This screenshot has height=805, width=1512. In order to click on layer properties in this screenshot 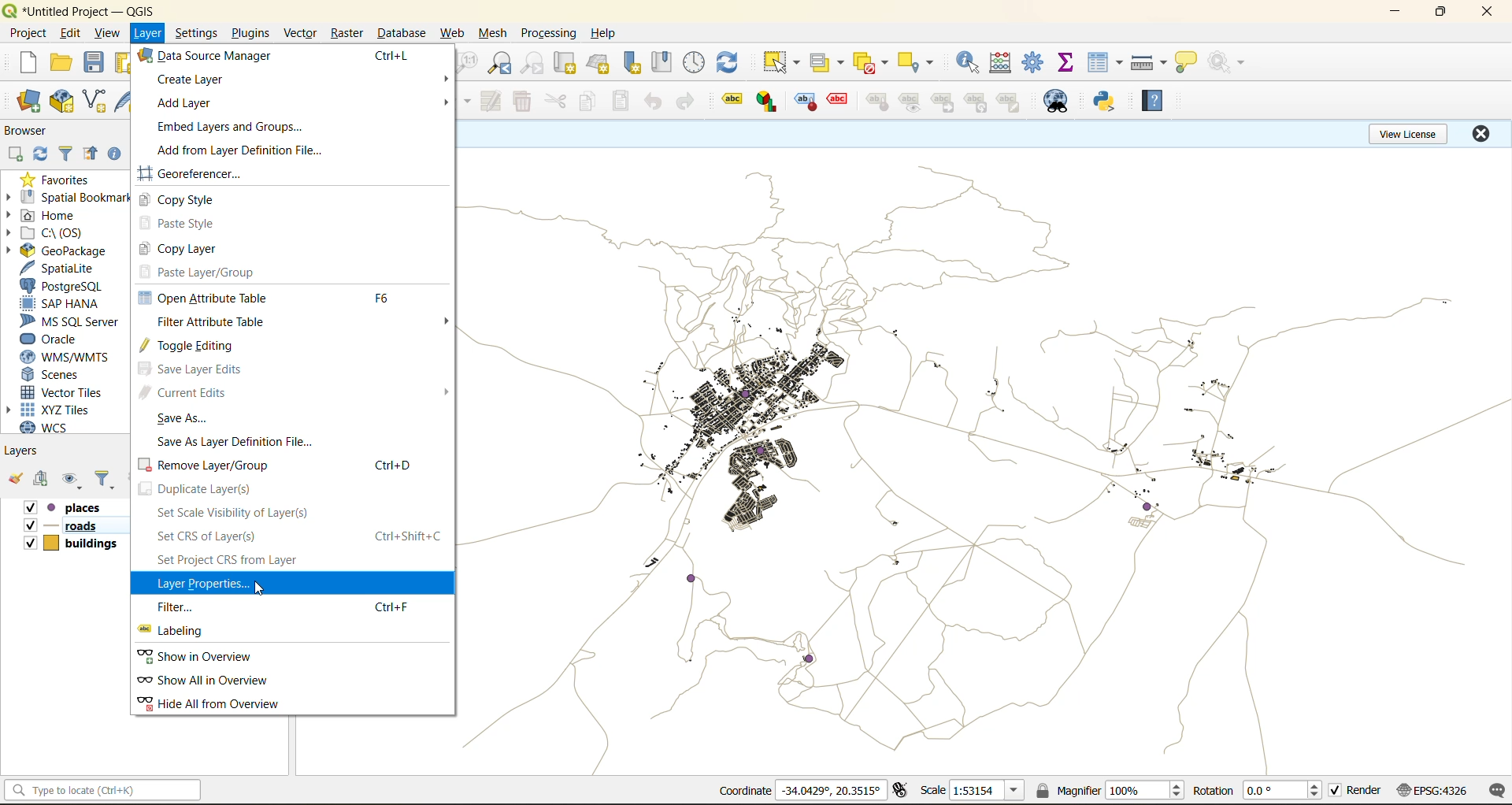, I will do `click(204, 584)`.